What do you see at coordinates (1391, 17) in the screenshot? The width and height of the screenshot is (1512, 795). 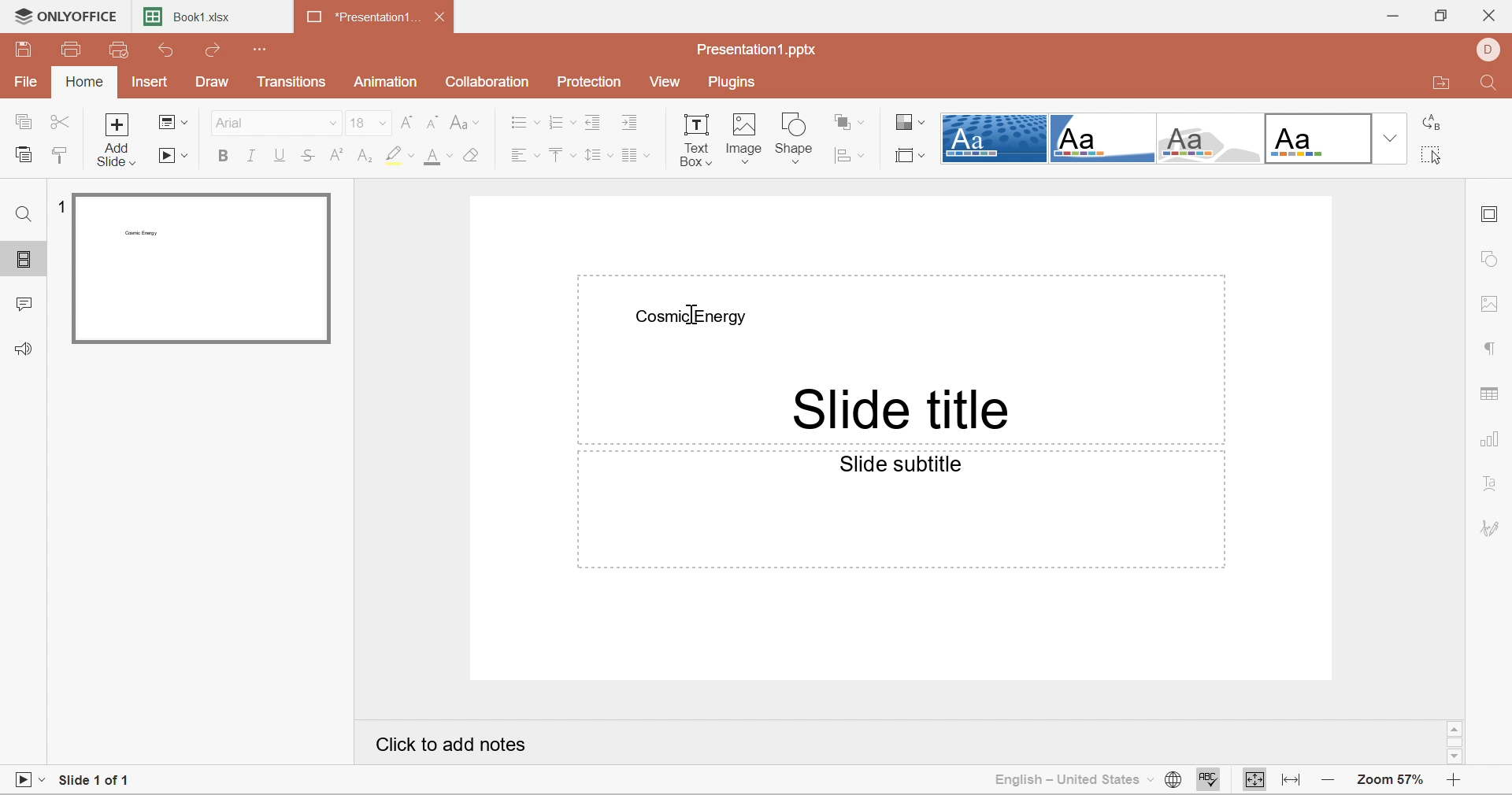 I see `Minimize` at bounding box center [1391, 17].